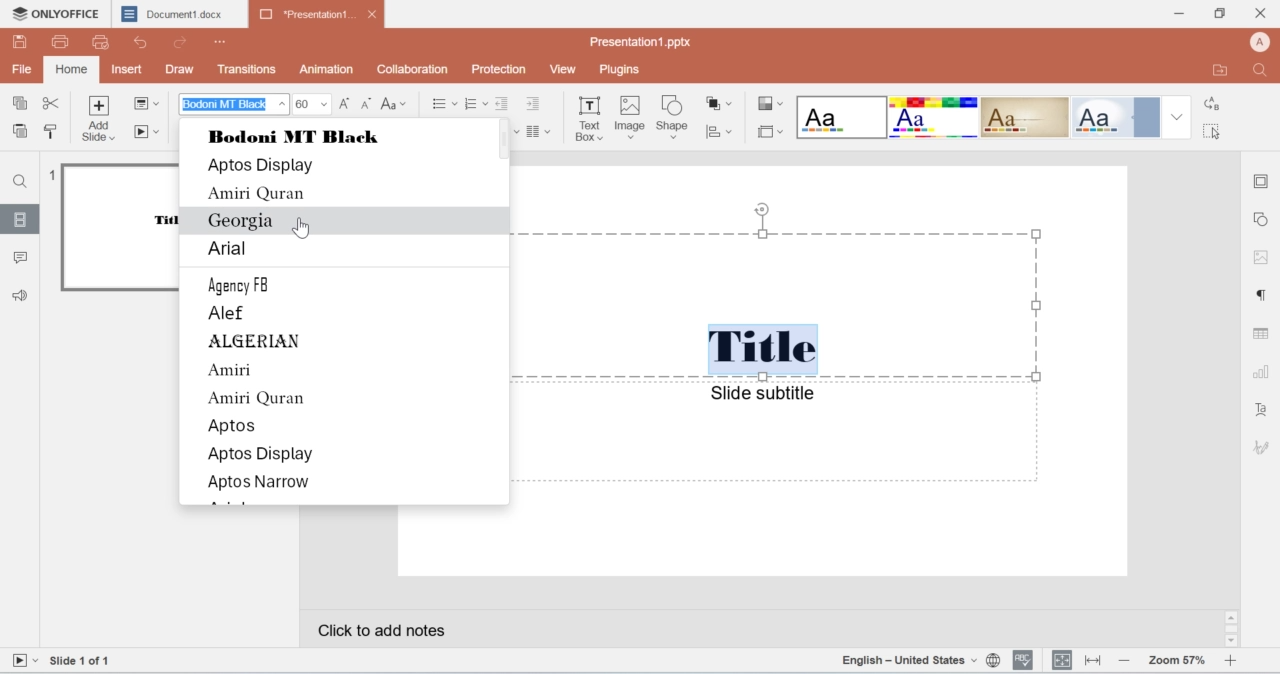  What do you see at coordinates (761, 394) in the screenshot?
I see `Slide subtitle` at bounding box center [761, 394].